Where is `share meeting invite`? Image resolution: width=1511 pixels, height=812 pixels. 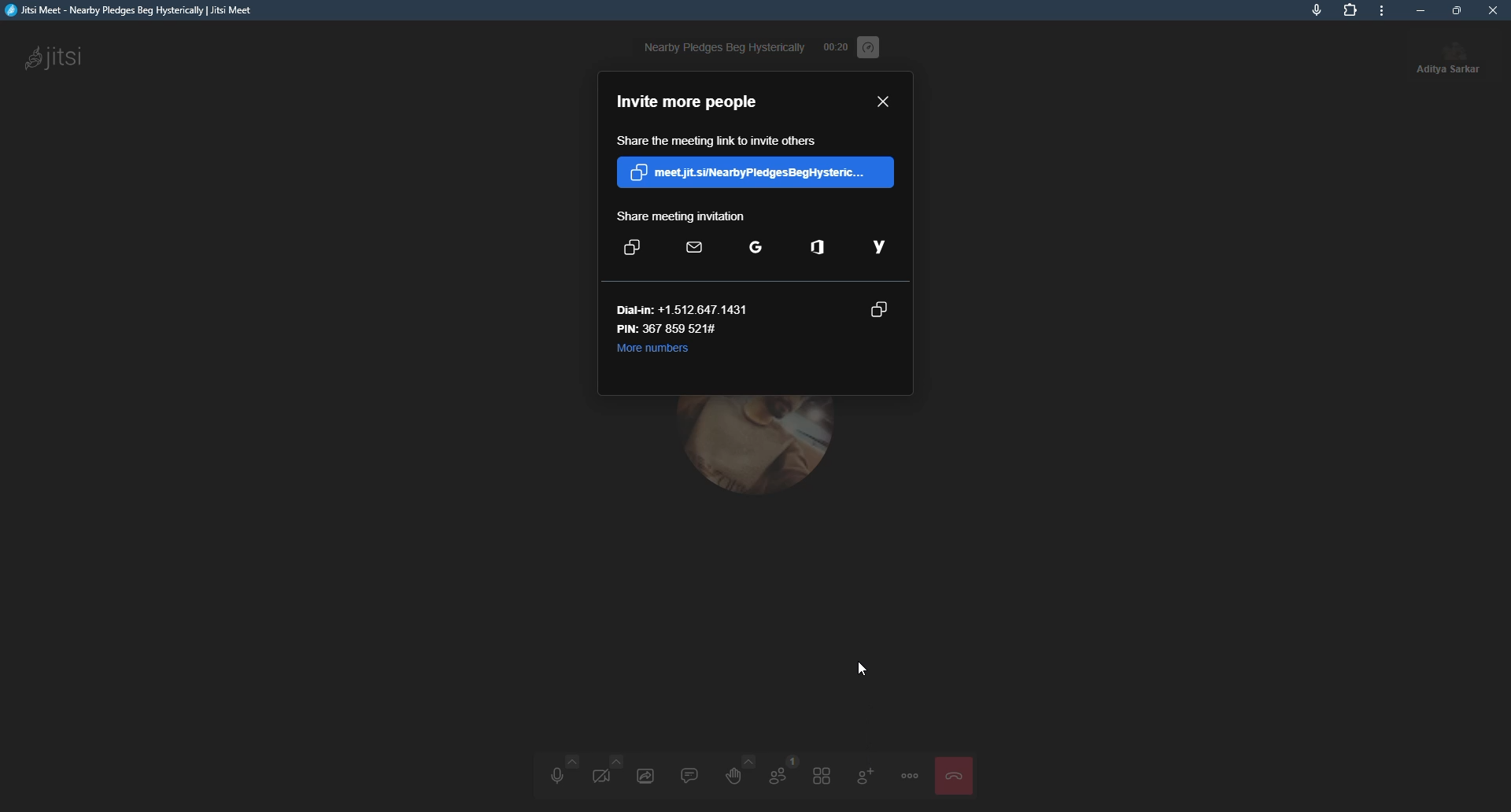 share meeting invite is located at coordinates (687, 215).